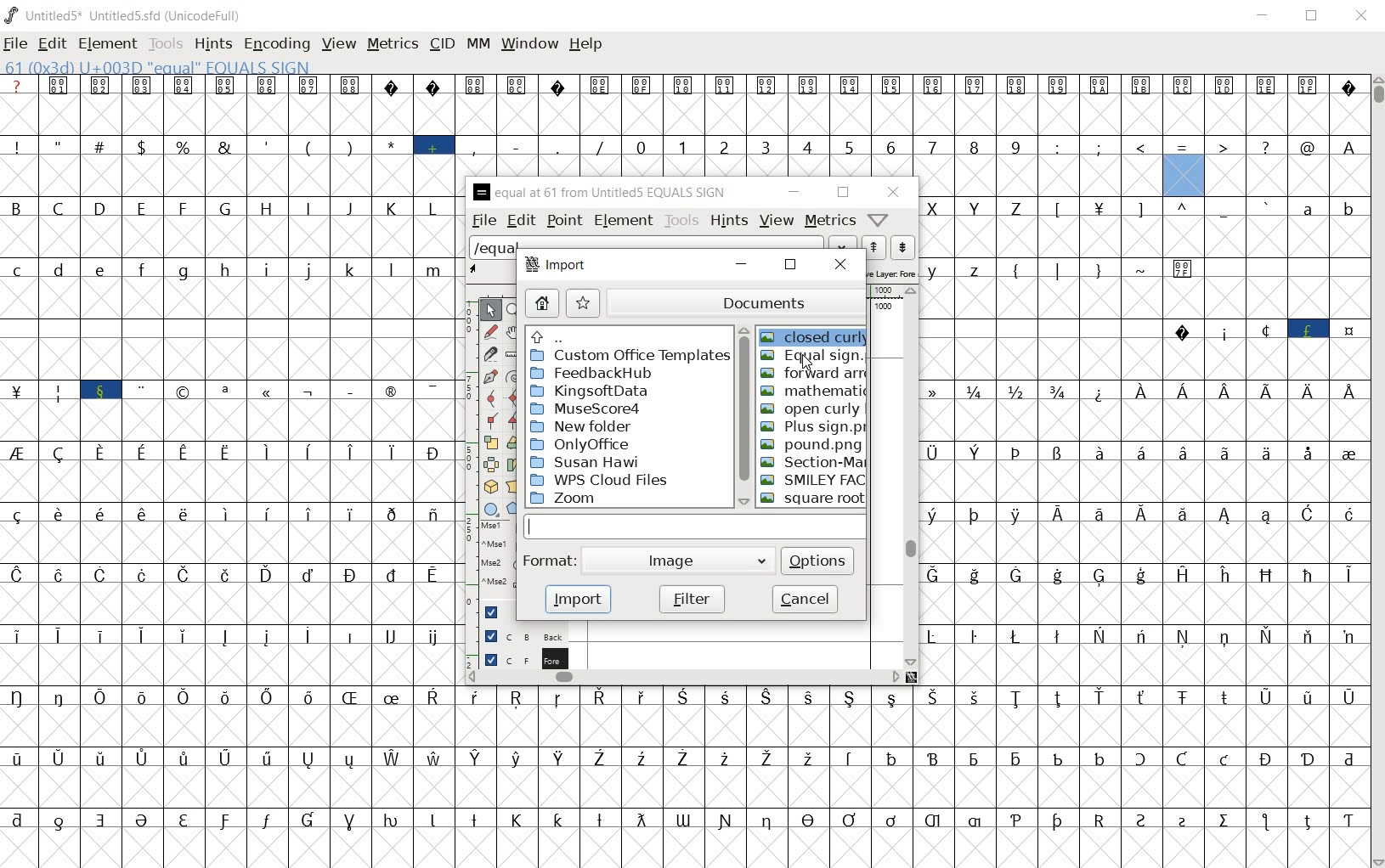 This screenshot has height=868, width=1385. What do you see at coordinates (592, 392) in the screenshot?
I see `kingsoftdata` at bounding box center [592, 392].